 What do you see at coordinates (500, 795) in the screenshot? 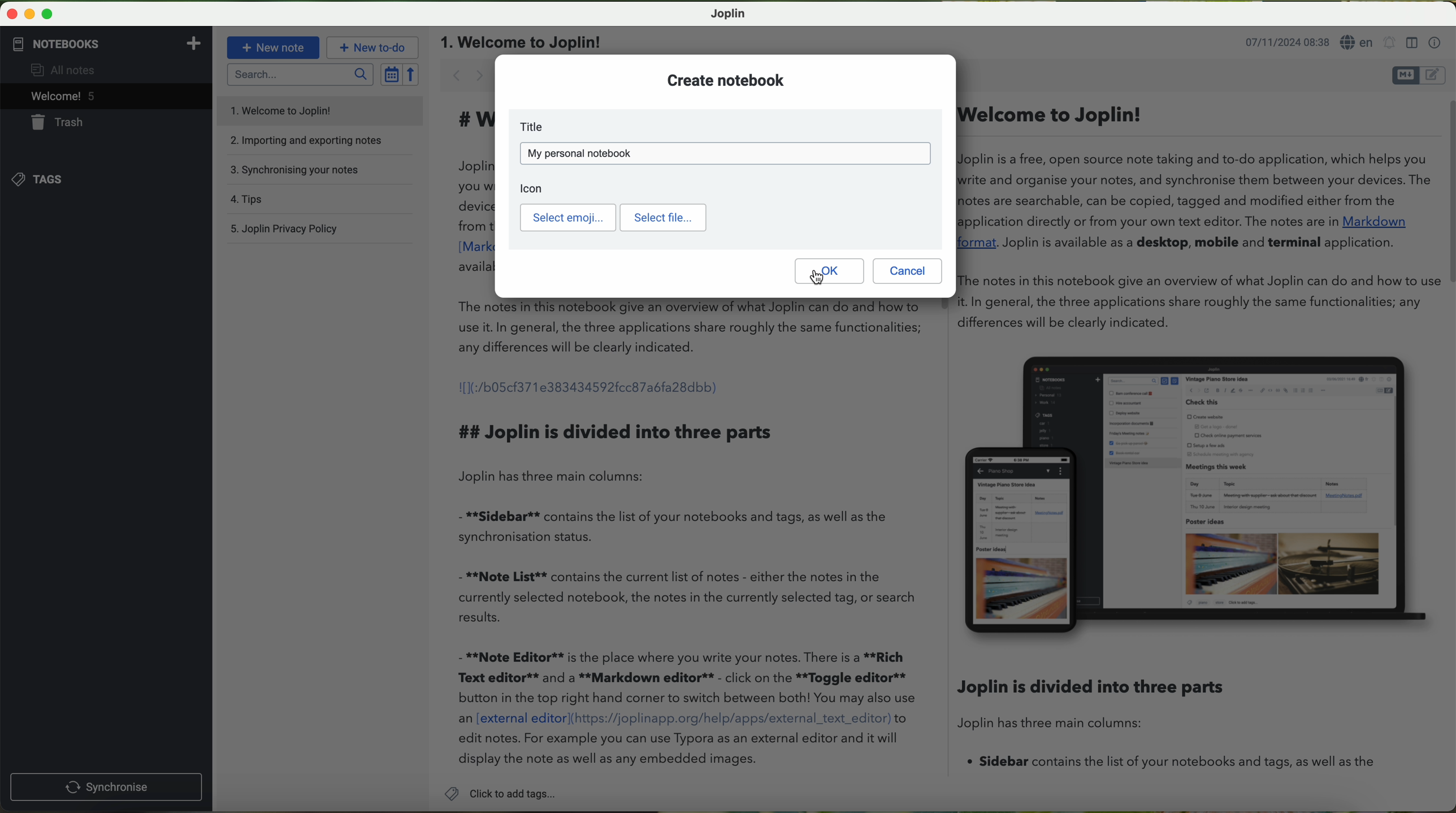
I see `add tags` at bounding box center [500, 795].